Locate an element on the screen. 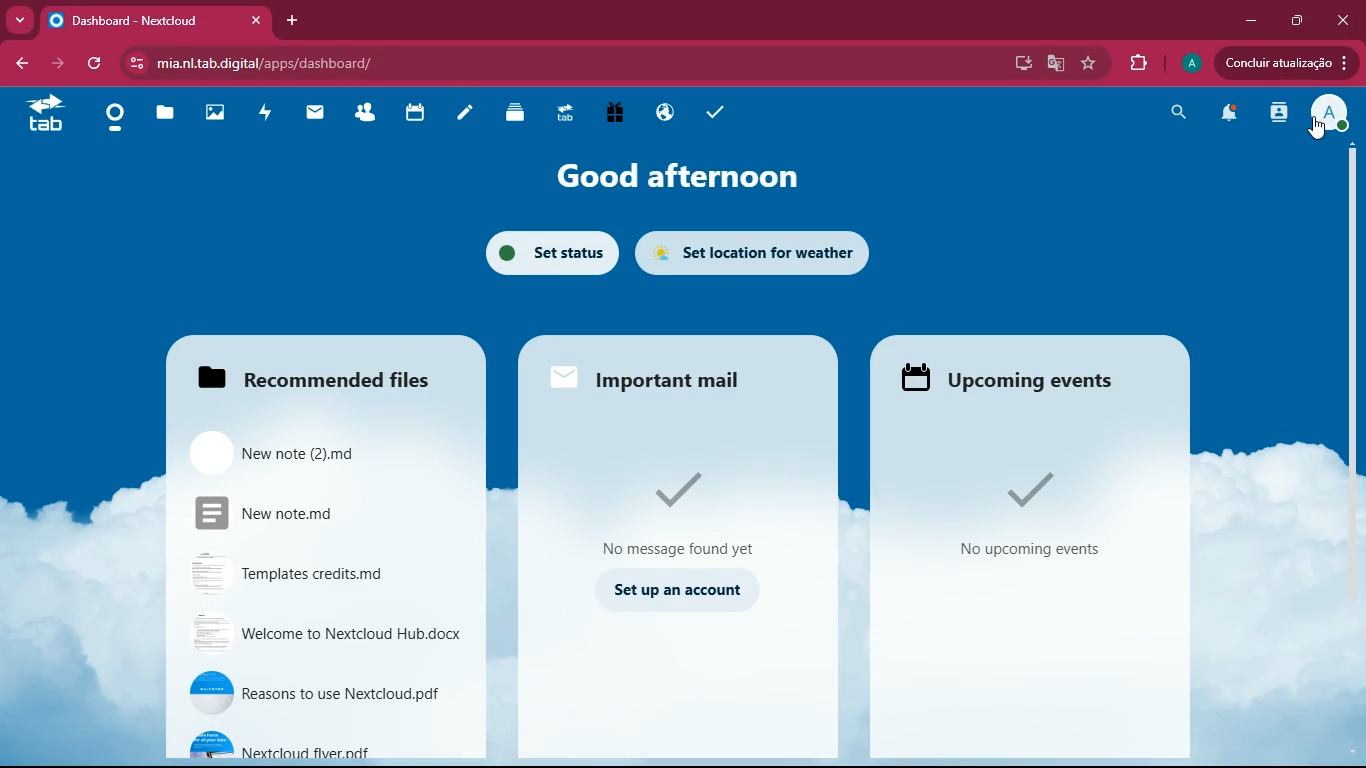  Recommended files is located at coordinates (314, 372).